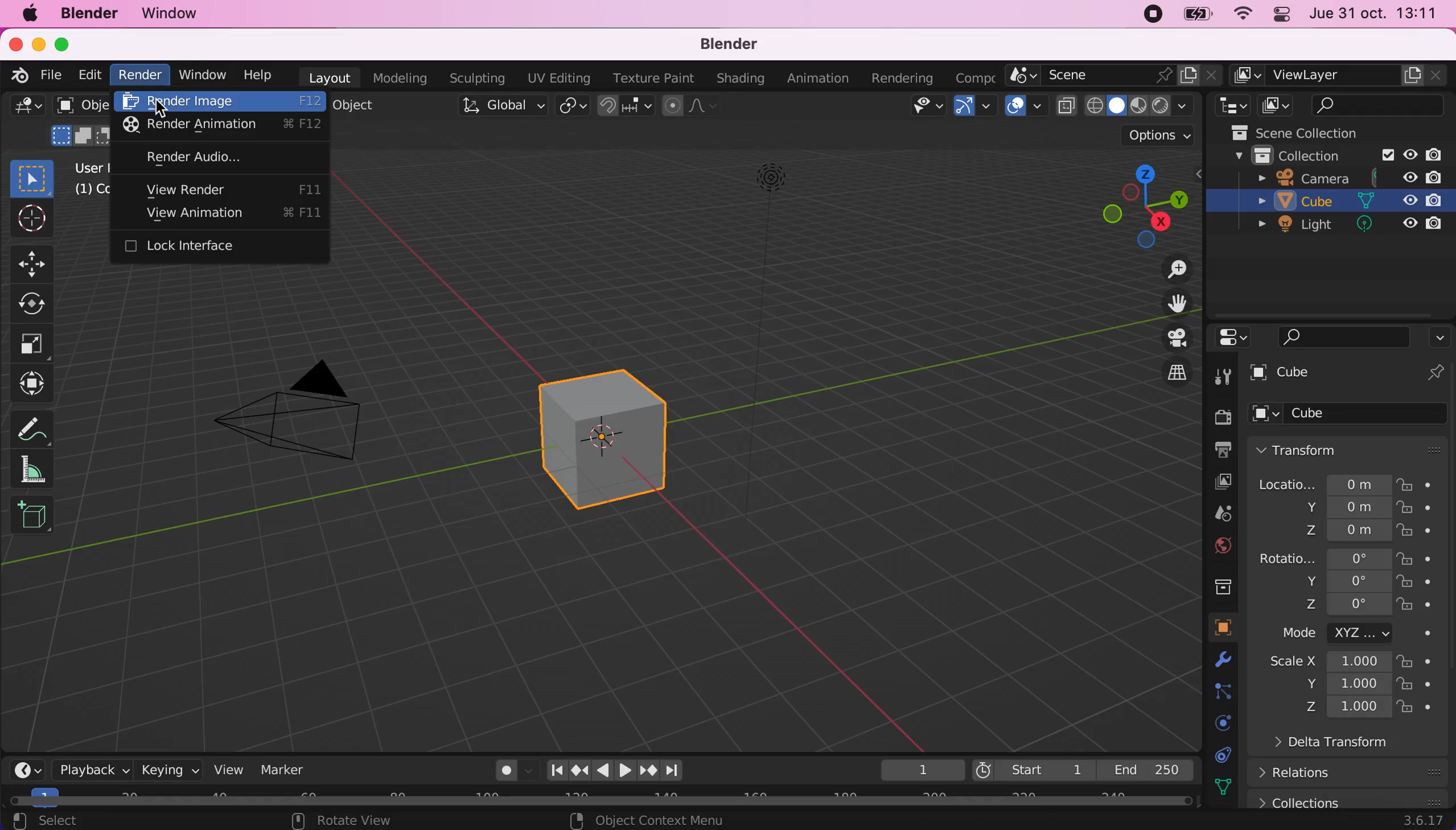 The image size is (1456, 830). I want to click on camera, so click(312, 414).